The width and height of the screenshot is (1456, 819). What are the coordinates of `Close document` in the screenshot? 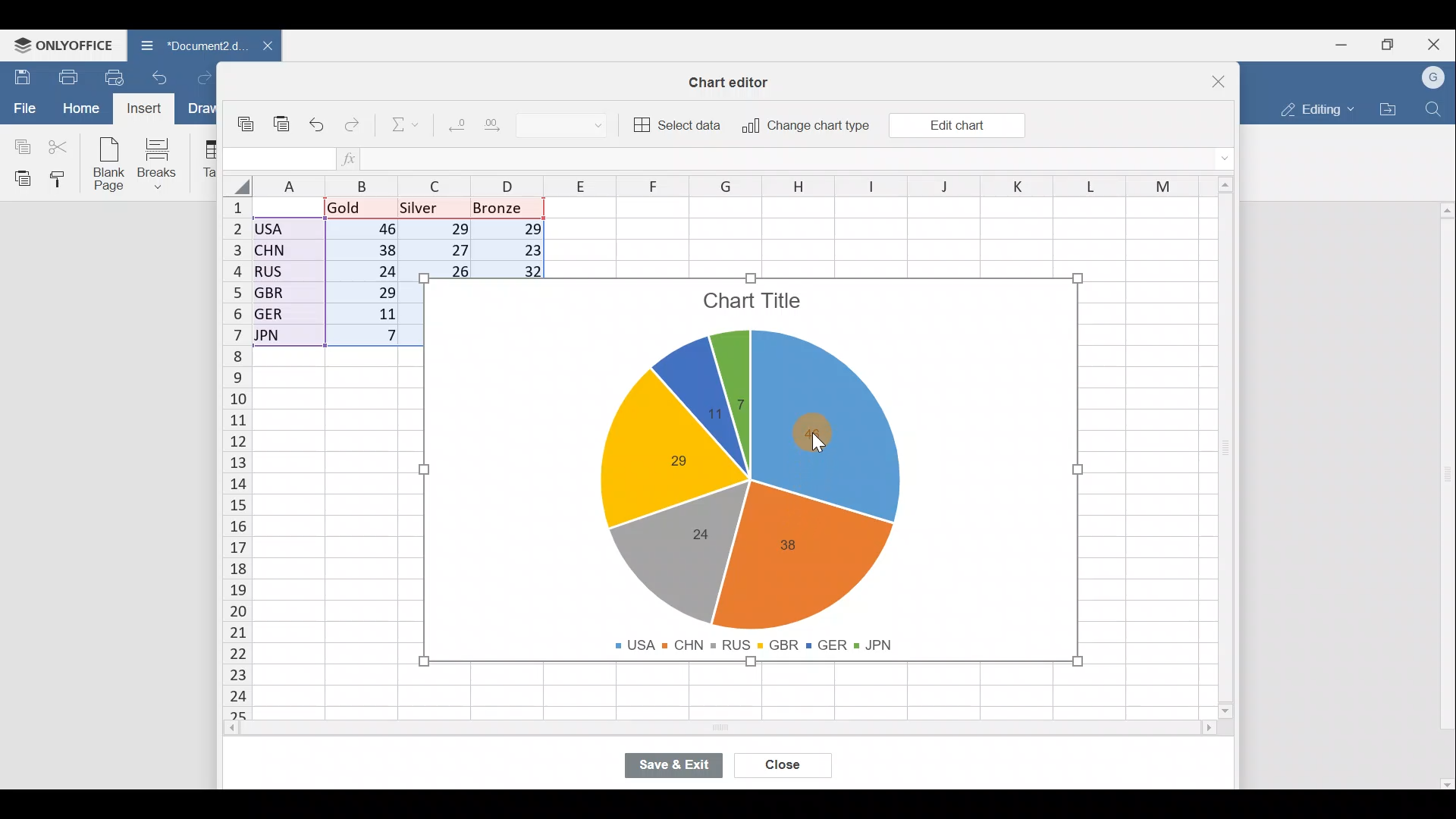 It's located at (265, 47).